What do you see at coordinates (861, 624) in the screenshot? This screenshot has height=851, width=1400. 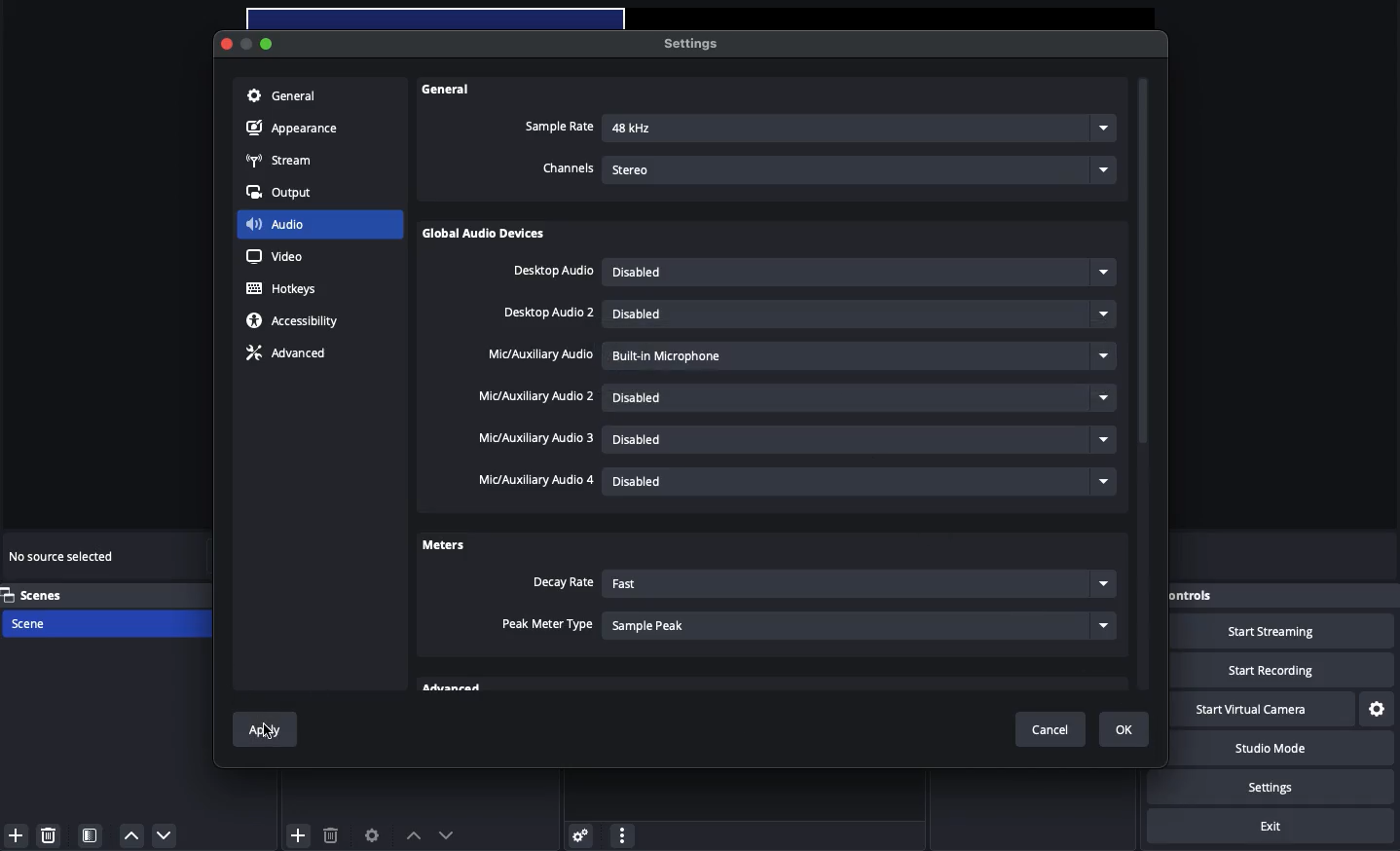 I see `Sample Peak` at bounding box center [861, 624].